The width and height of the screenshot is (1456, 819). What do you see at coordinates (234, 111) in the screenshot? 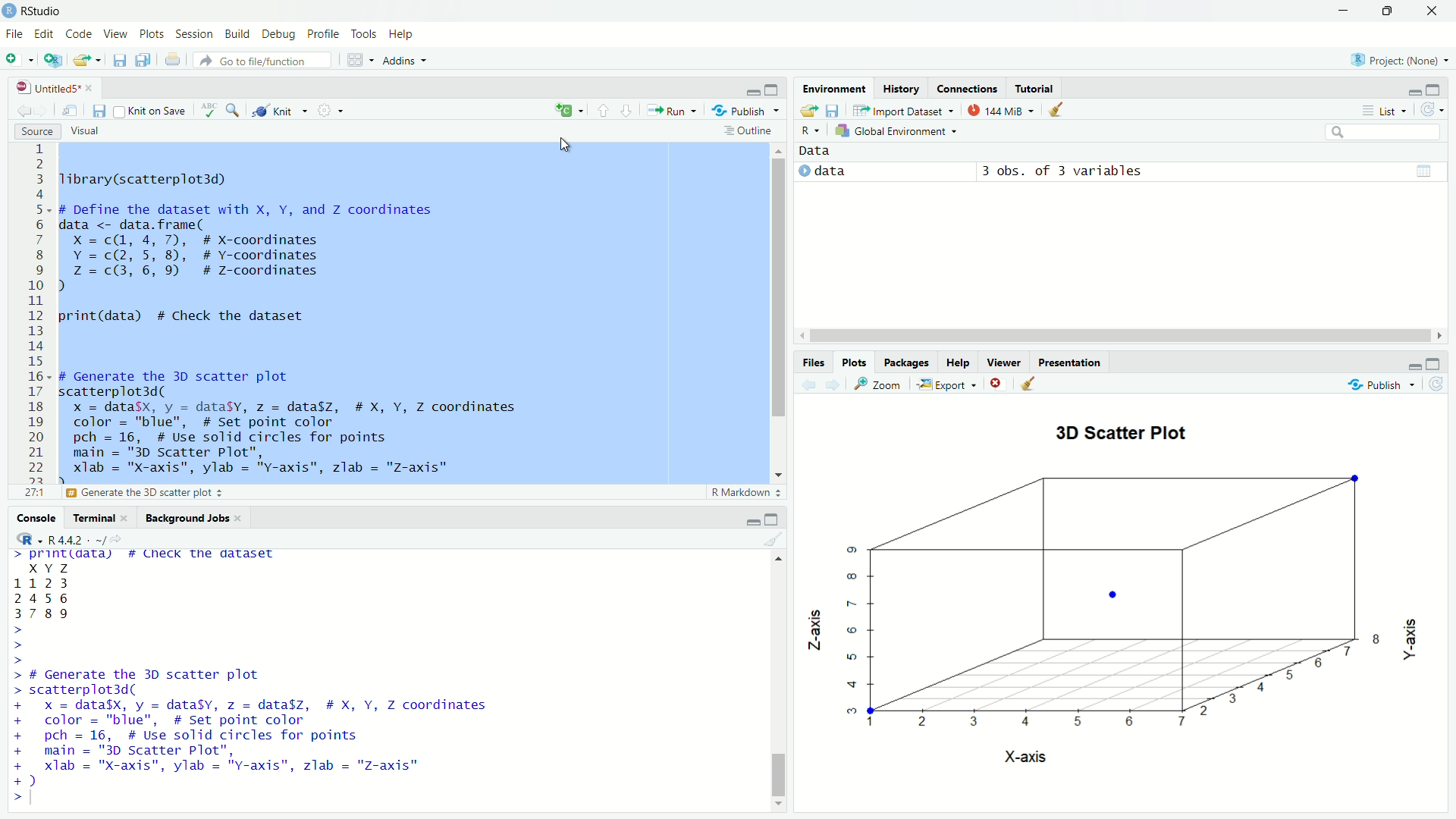
I see `find/replace` at bounding box center [234, 111].